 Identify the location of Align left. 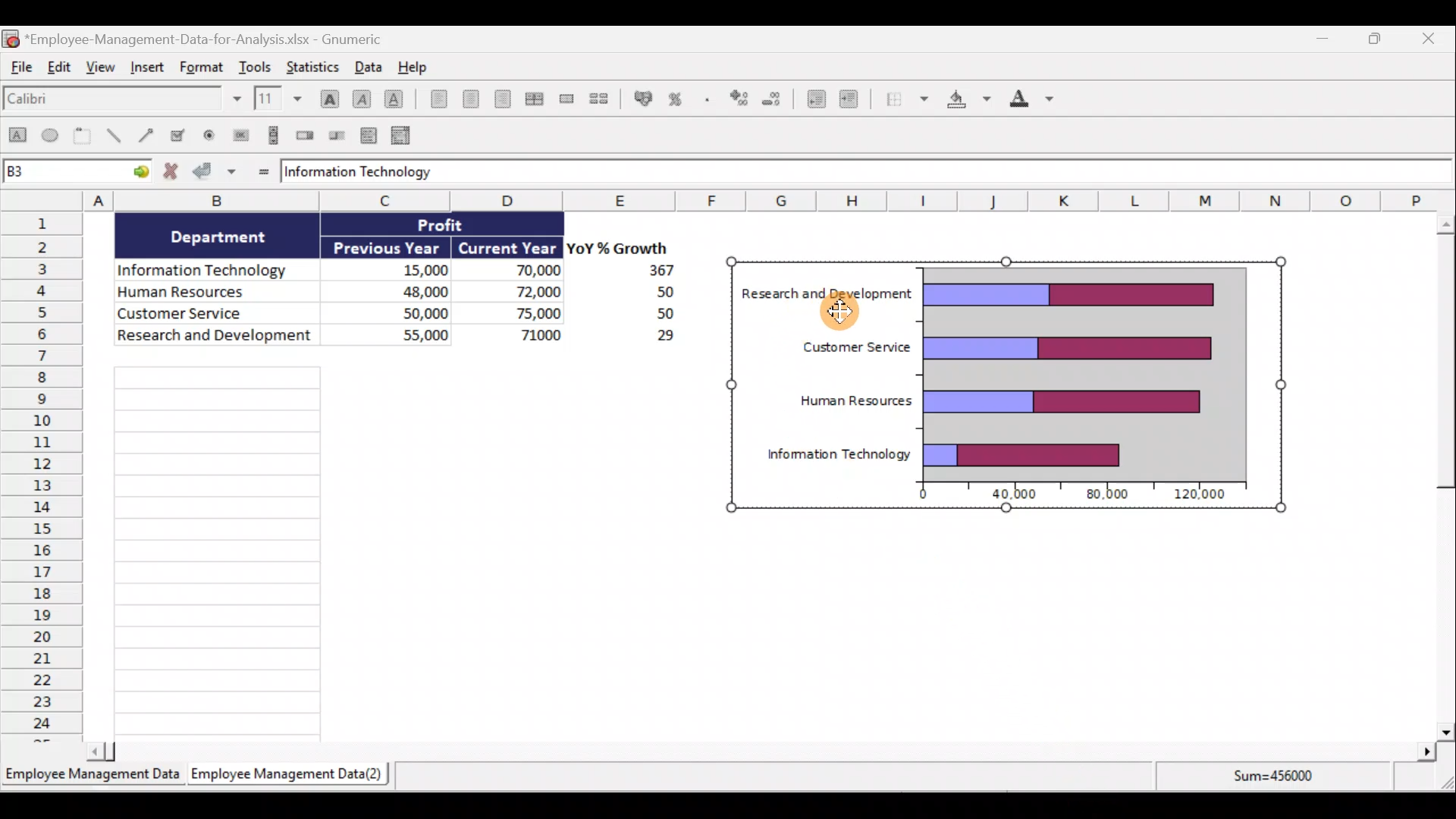
(437, 99).